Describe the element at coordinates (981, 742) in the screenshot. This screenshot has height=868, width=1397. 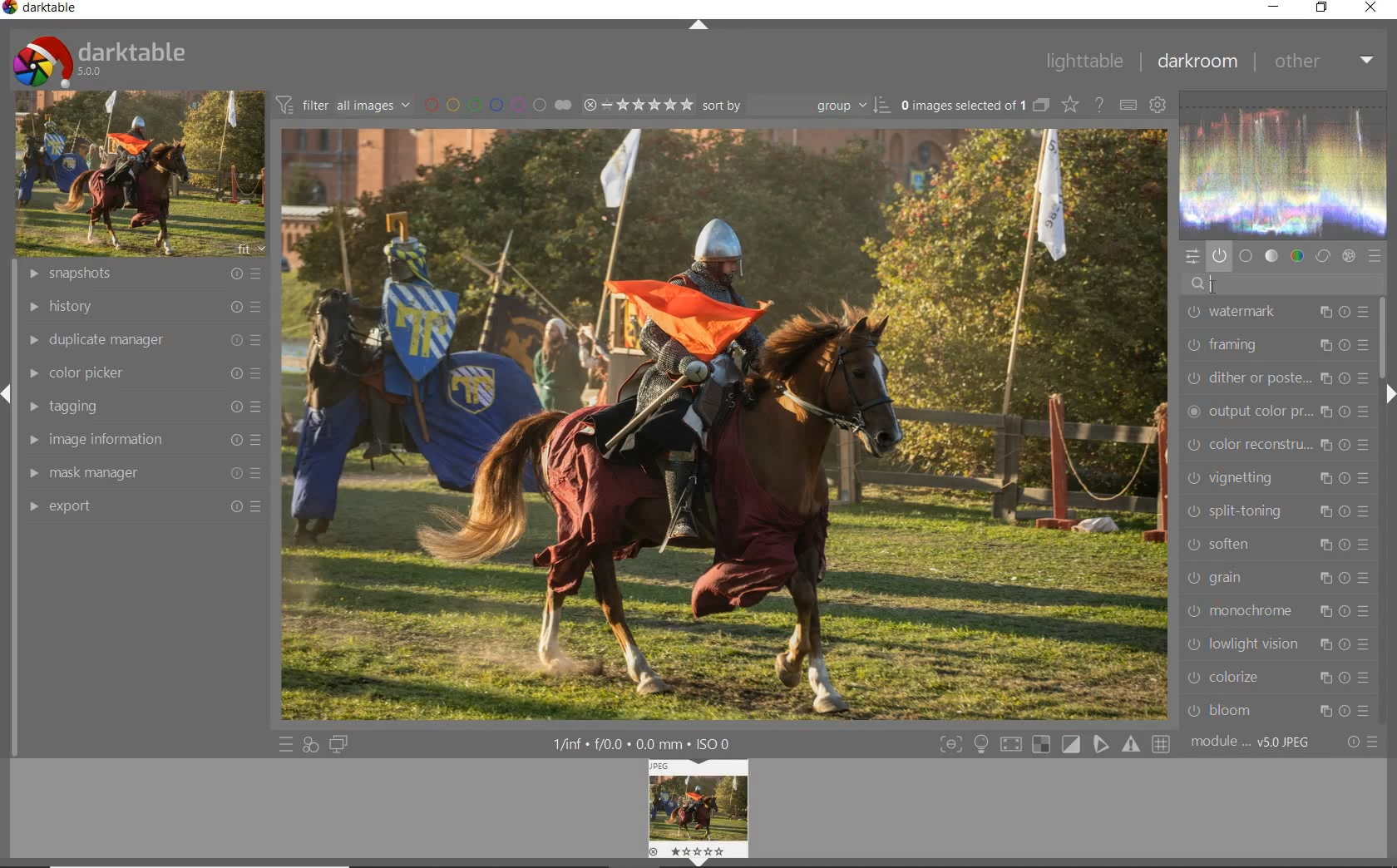
I see `toggle modes` at that location.